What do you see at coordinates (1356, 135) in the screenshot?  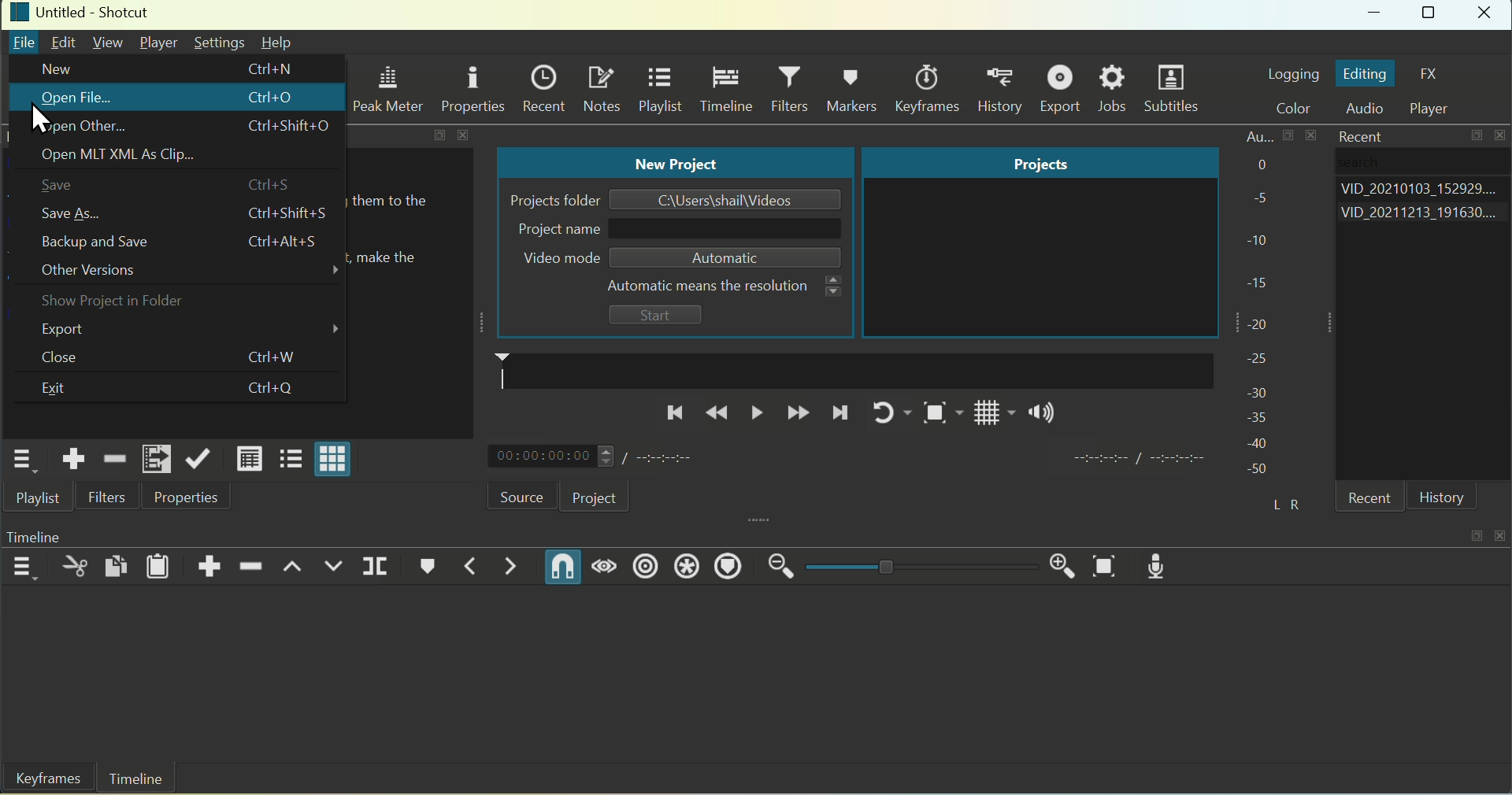 I see `Recent` at bounding box center [1356, 135].